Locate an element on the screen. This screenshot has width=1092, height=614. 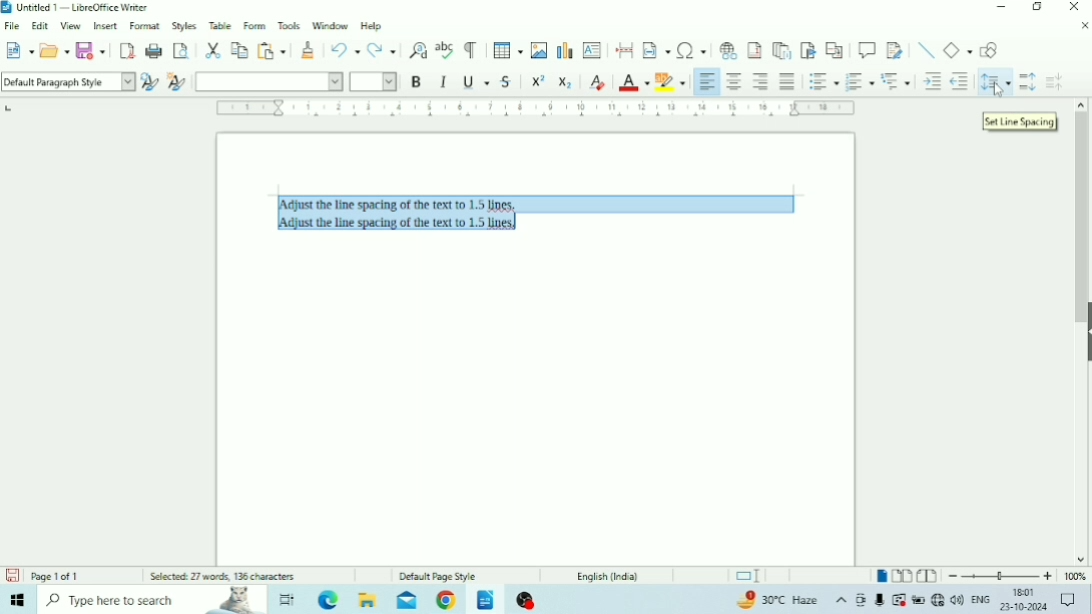
Font Size is located at coordinates (373, 81).